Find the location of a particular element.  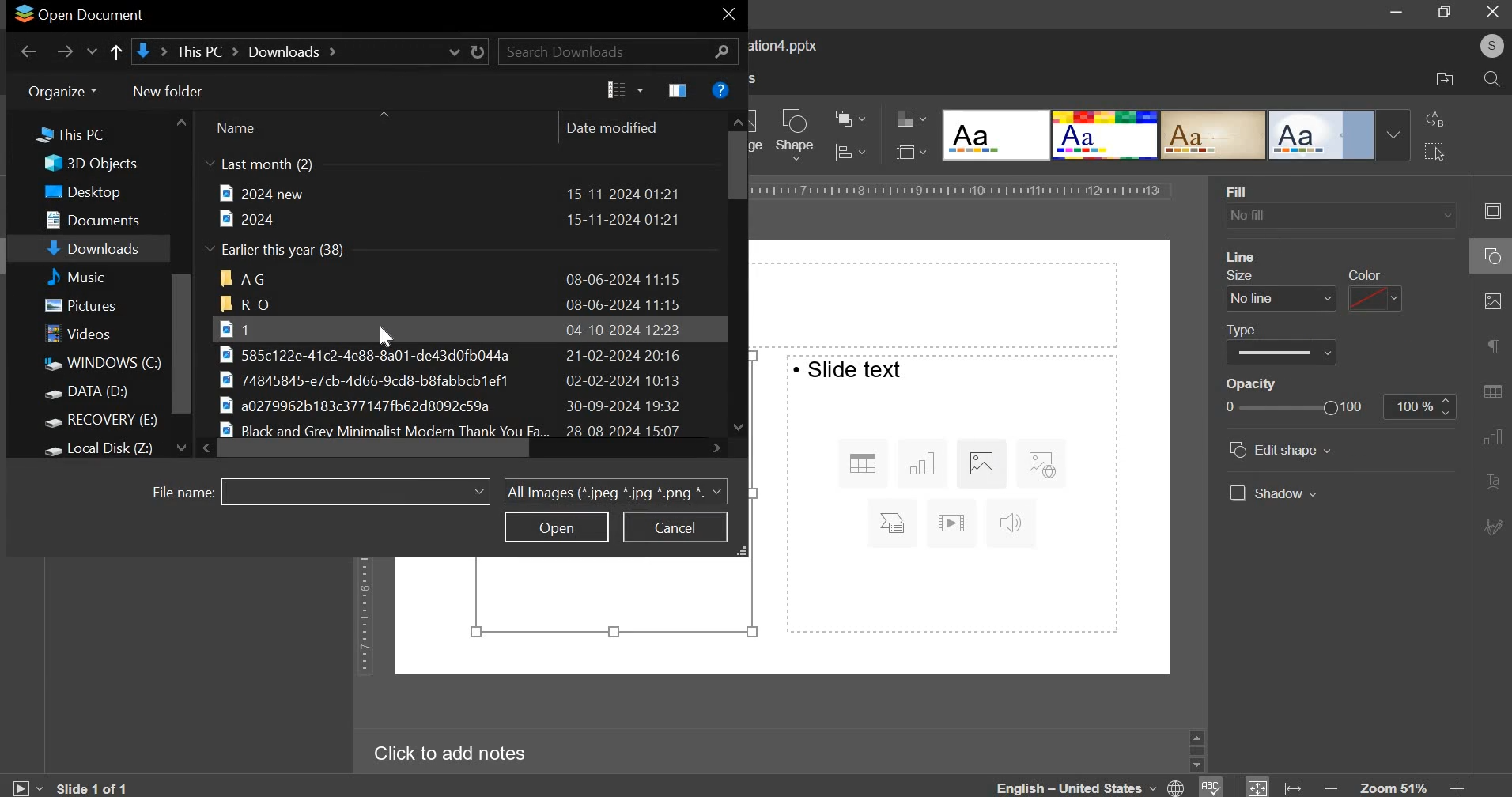

image file is located at coordinates (445, 328).